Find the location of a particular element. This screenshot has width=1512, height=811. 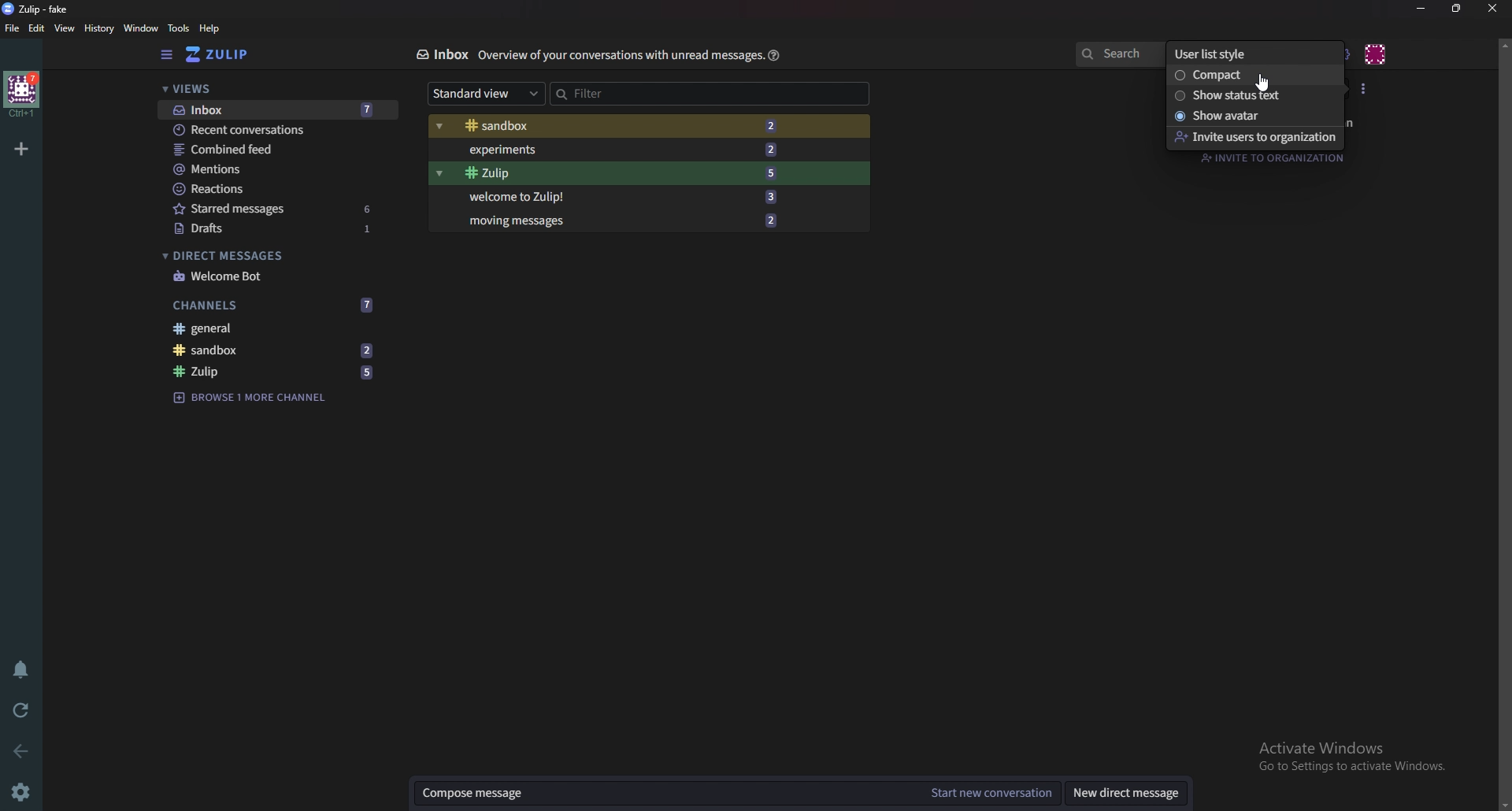

Inbox is located at coordinates (437, 54).